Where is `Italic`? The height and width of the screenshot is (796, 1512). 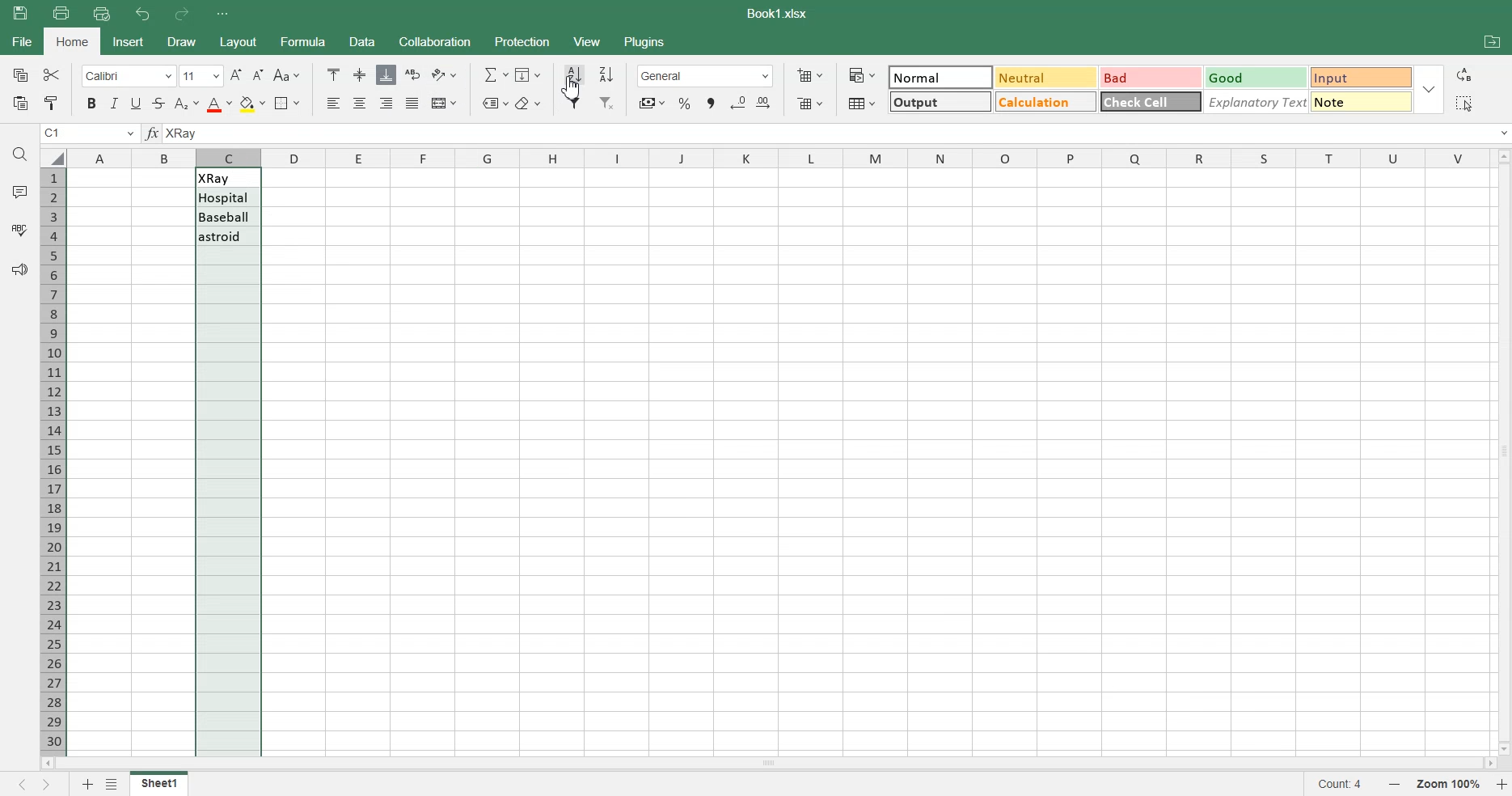 Italic is located at coordinates (115, 103).